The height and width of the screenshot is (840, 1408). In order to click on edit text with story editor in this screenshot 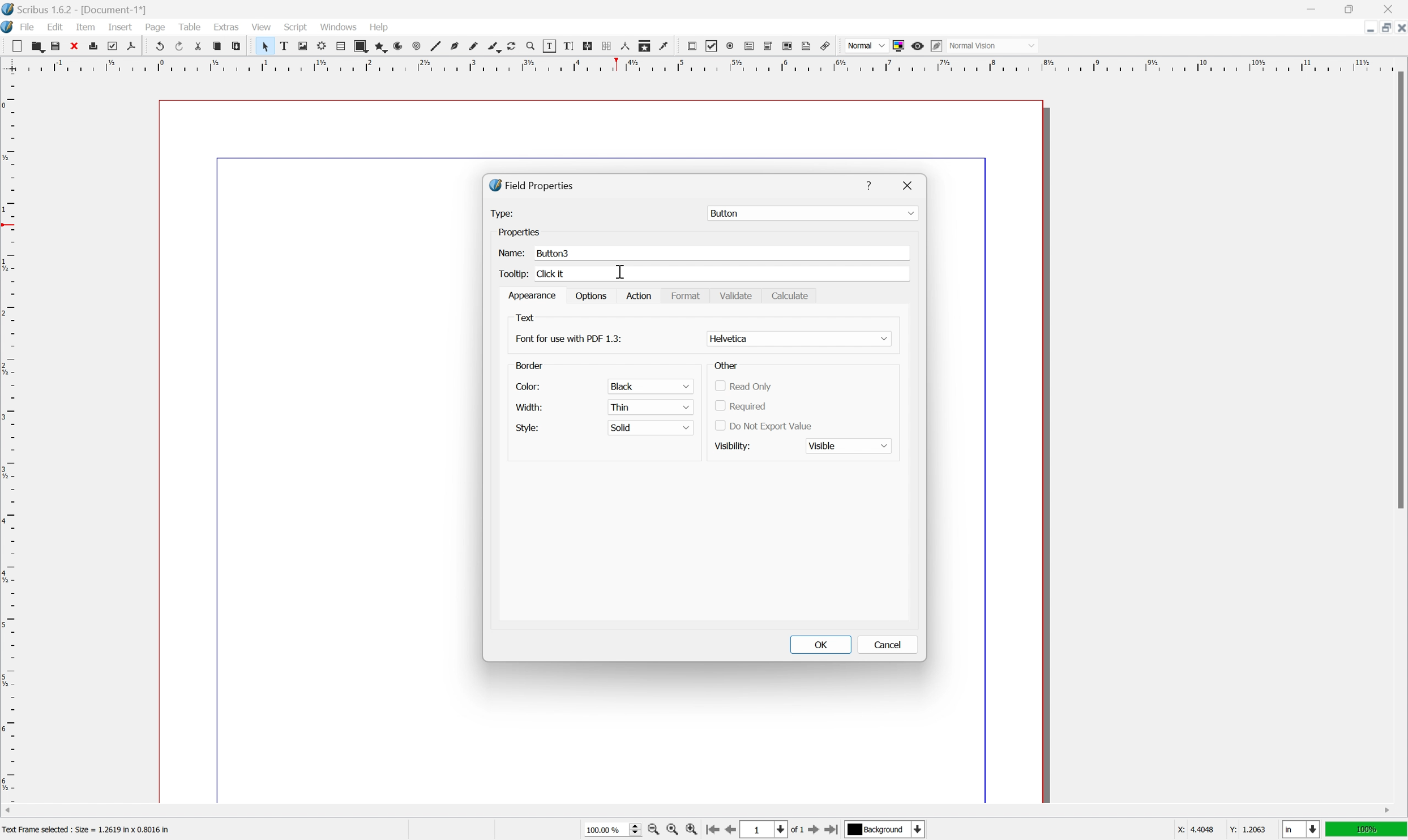, I will do `click(569, 46)`.